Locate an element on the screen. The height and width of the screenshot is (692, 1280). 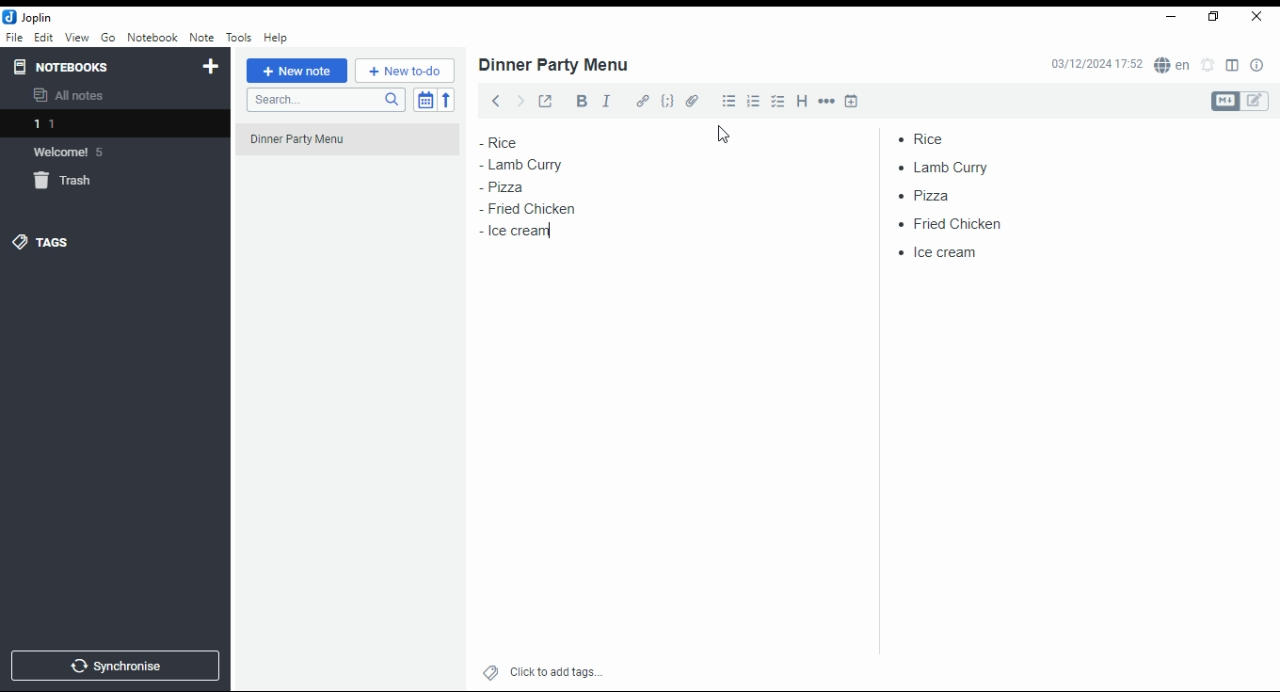
new notebook is located at coordinates (211, 67).